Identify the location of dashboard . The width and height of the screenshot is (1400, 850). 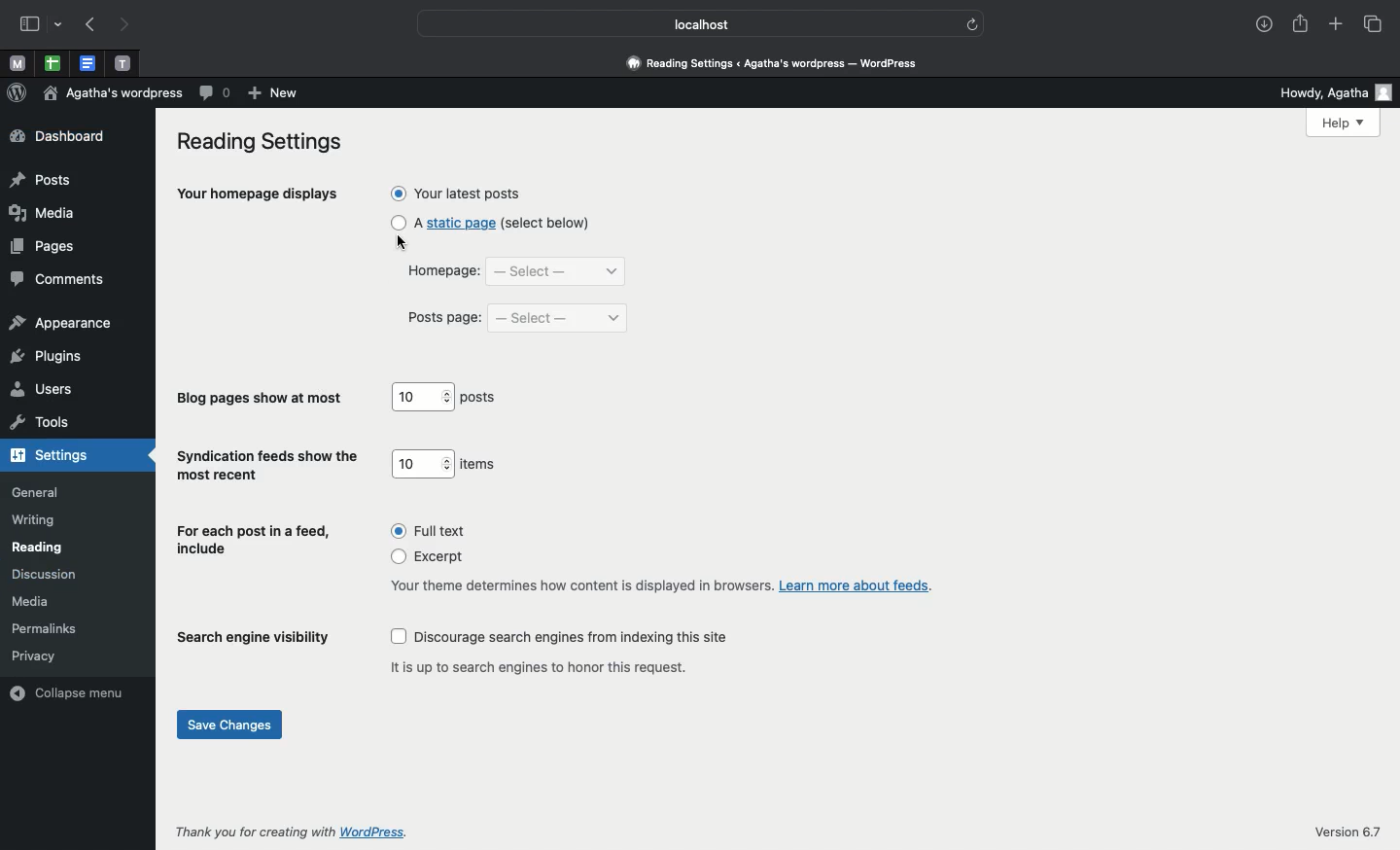
(57, 136).